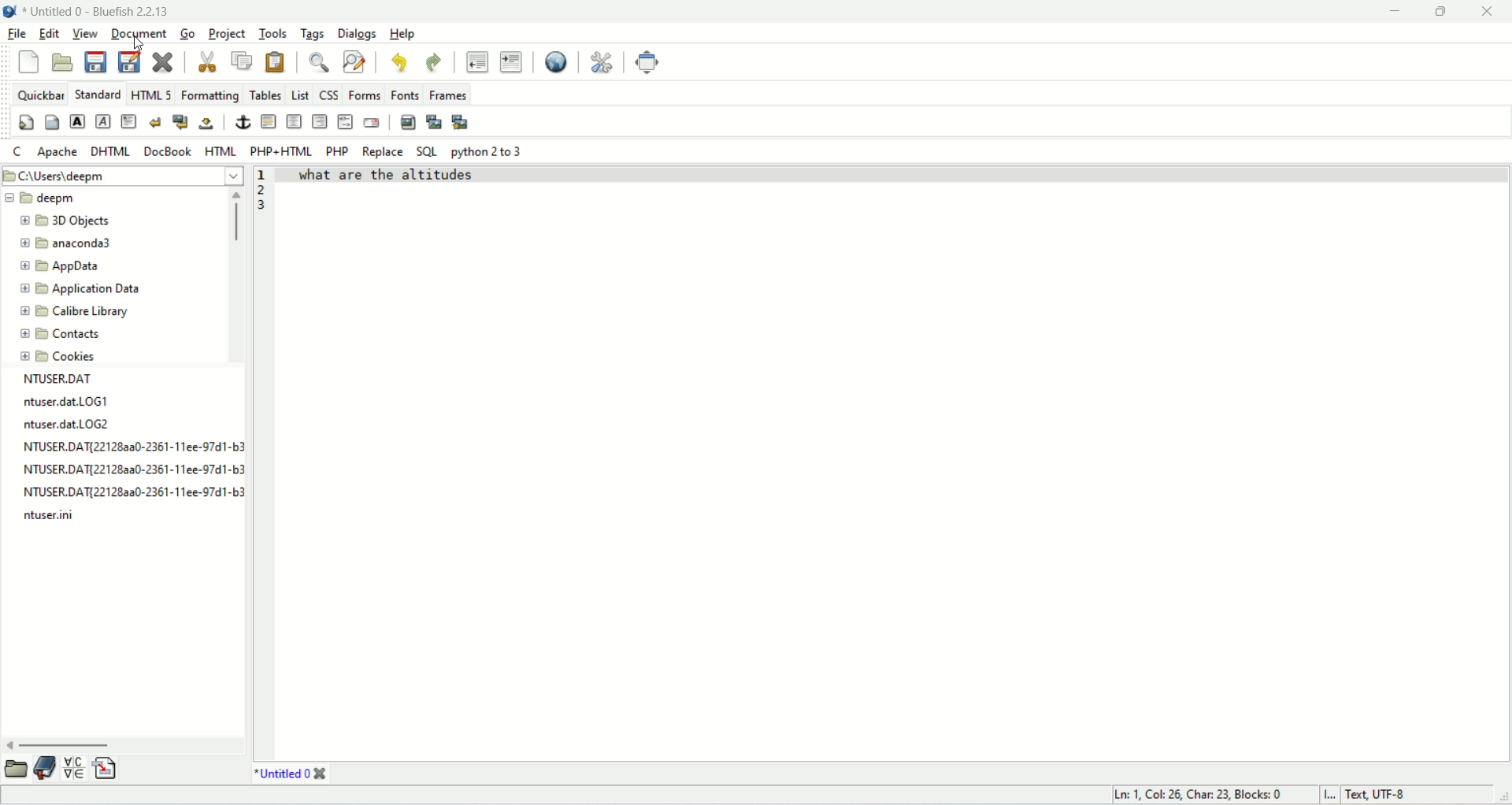 Image resolution: width=1512 pixels, height=805 pixels. What do you see at coordinates (241, 61) in the screenshot?
I see `copy` at bounding box center [241, 61].